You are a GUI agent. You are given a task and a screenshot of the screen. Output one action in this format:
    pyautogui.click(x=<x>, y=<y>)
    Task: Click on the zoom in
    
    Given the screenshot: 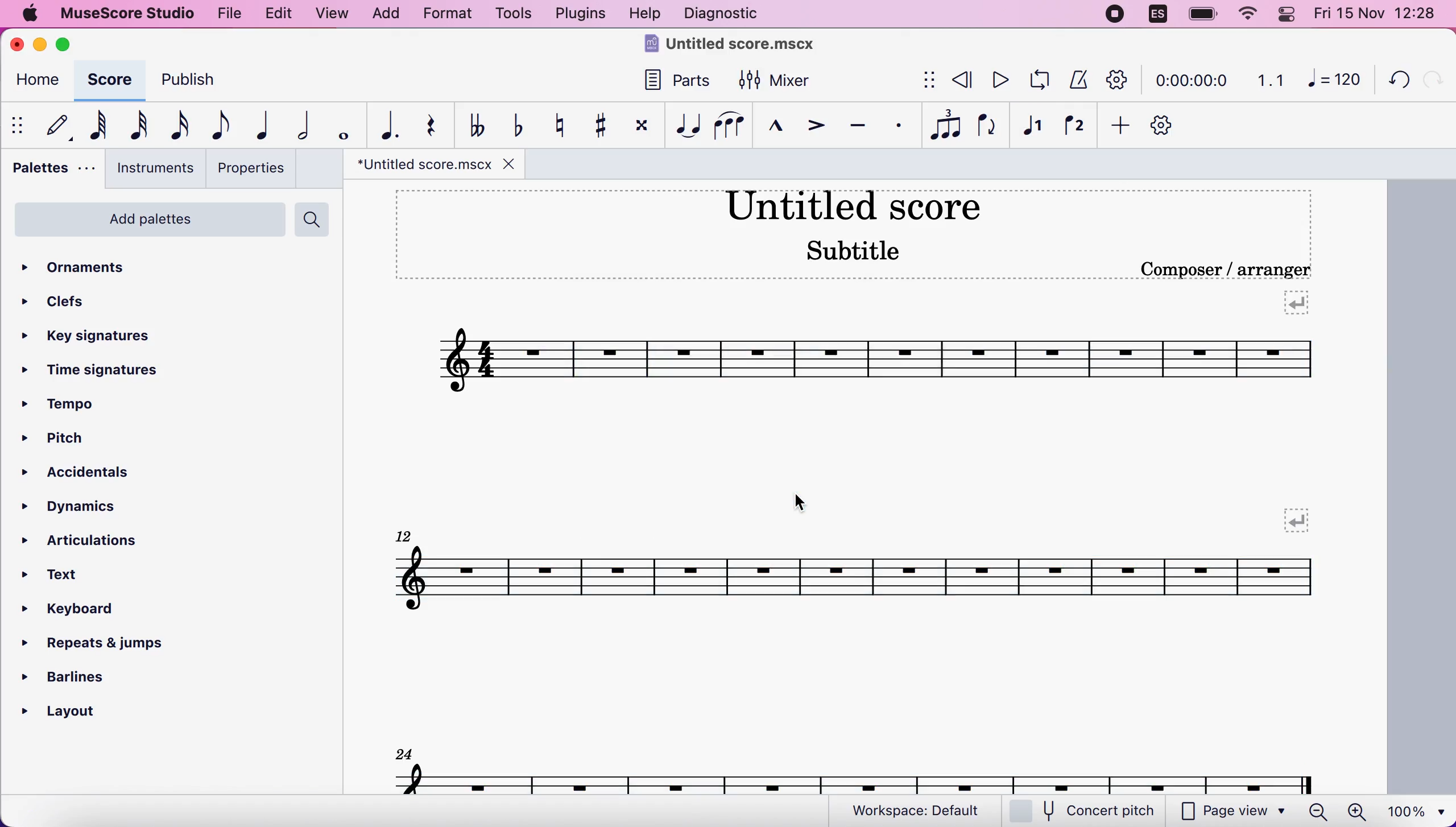 What is the action you would take?
    pyautogui.click(x=1356, y=812)
    